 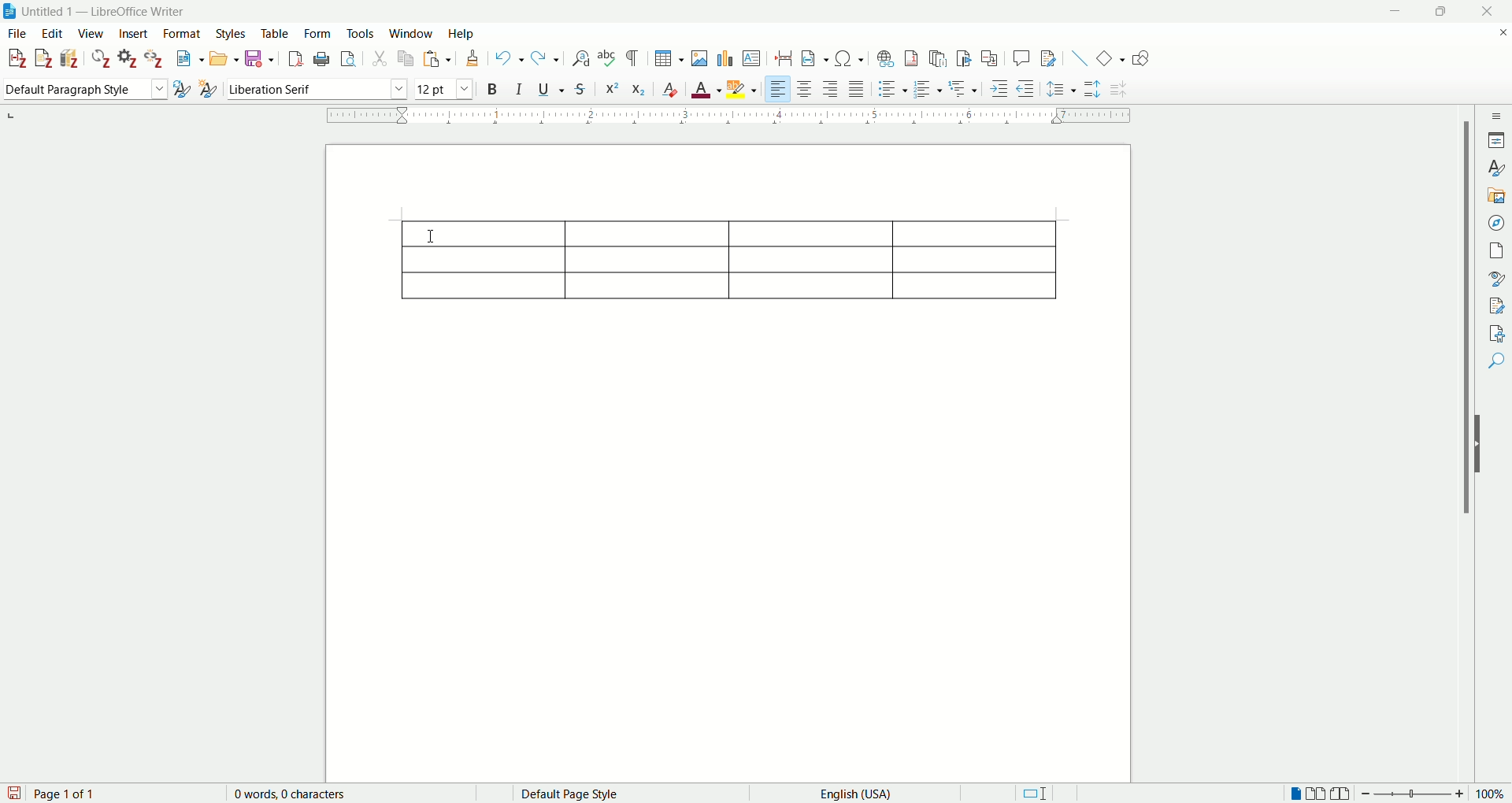 What do you see at coordinates (1495, 225) in the screenshot?
I see `navigator` at bounding box center [1495, 225].